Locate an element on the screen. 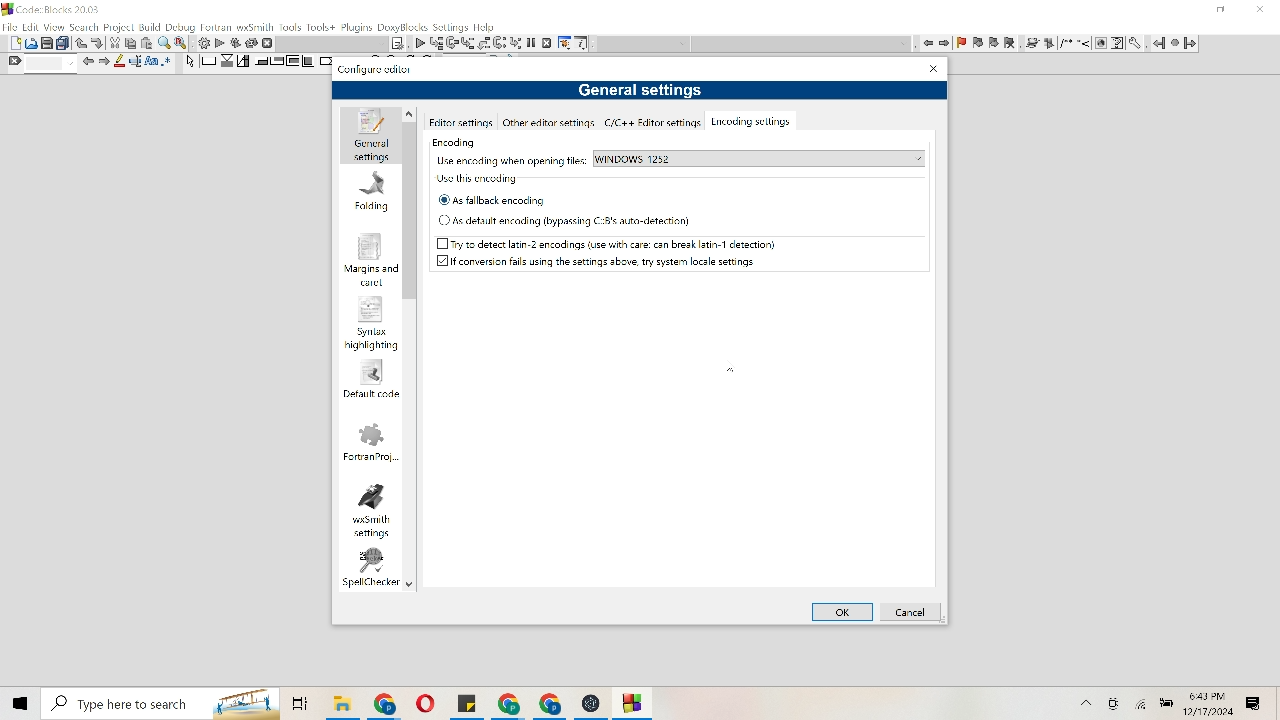 Image resolution: width=1280 pixels, height=720 pixels. Go Back is located at coordinates (1157, 43).